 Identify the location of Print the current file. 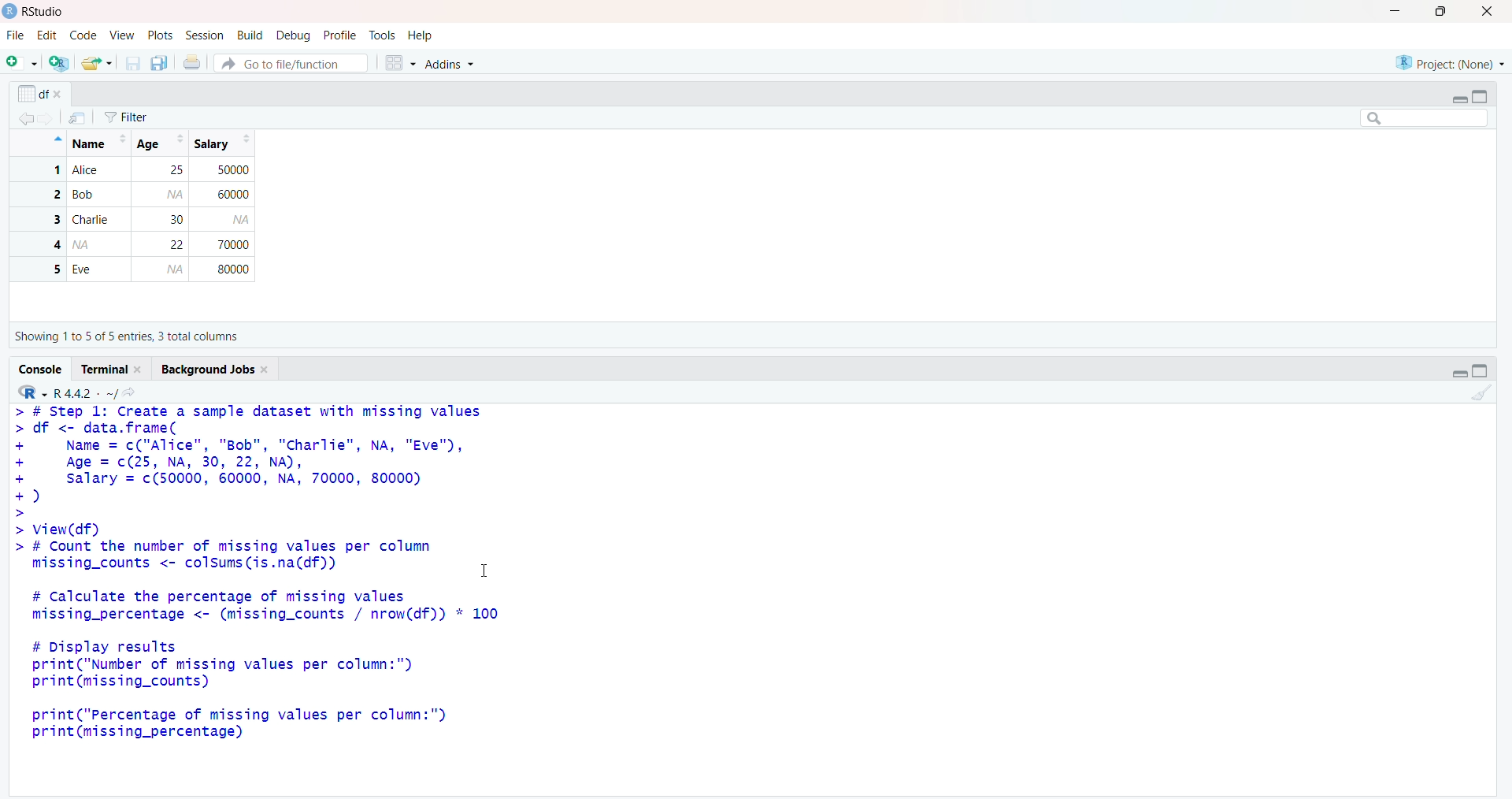
(194, 61).